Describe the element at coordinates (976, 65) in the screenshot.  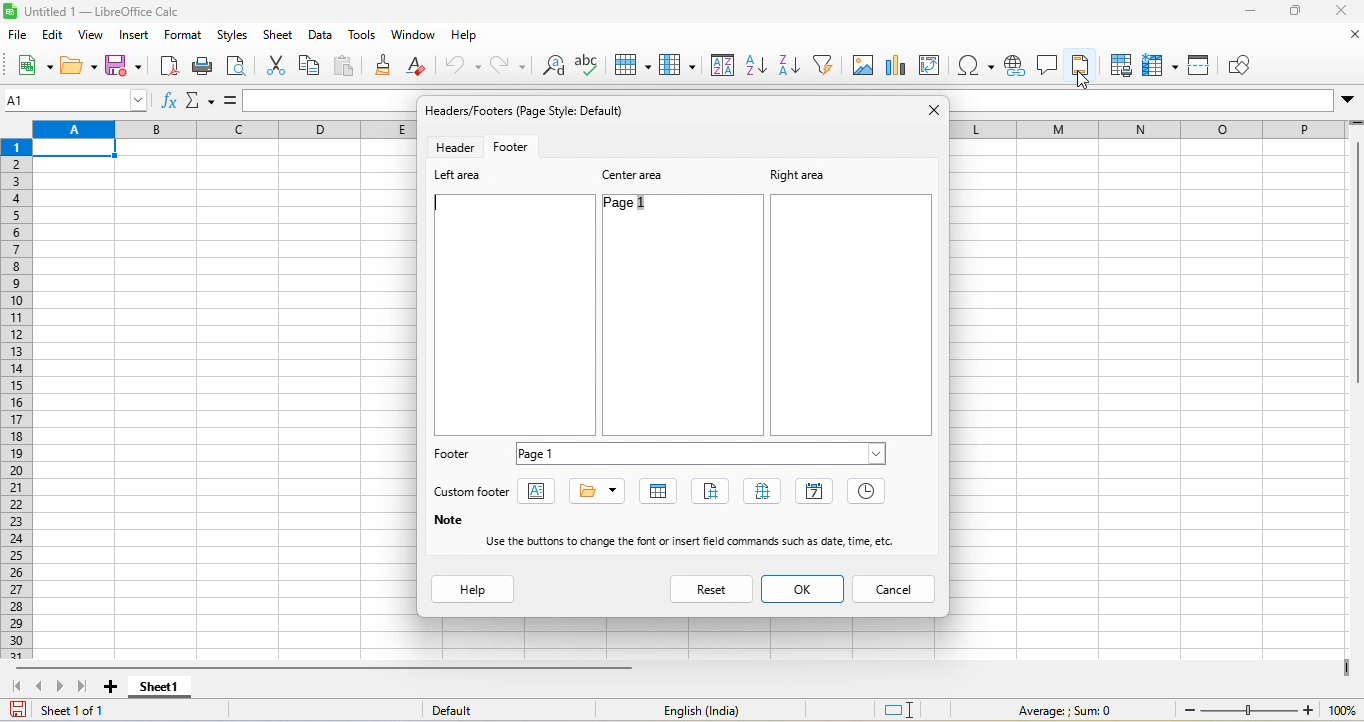
I see `special character` at that location.